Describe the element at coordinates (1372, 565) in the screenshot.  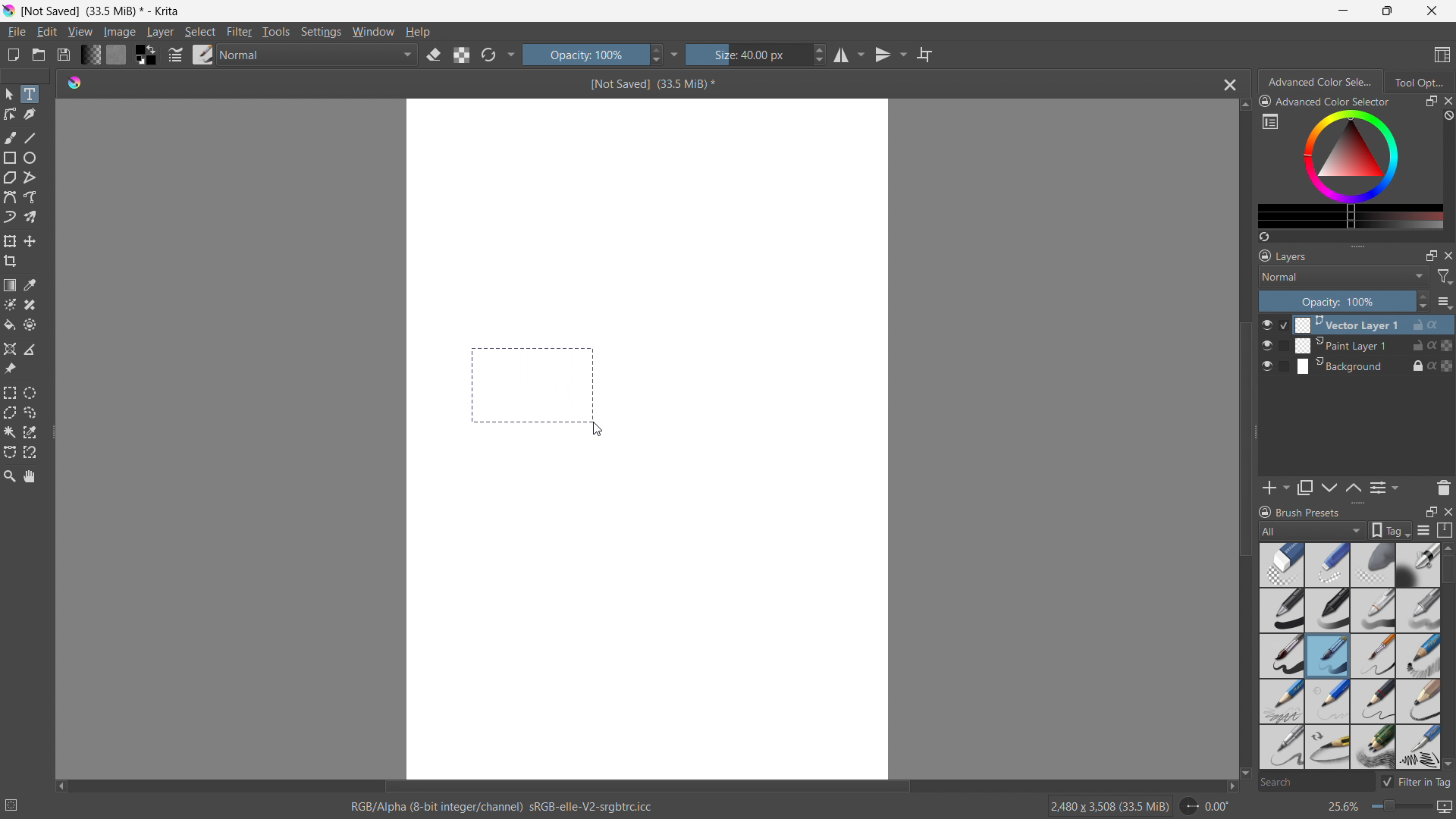
I see `blur` at that location.